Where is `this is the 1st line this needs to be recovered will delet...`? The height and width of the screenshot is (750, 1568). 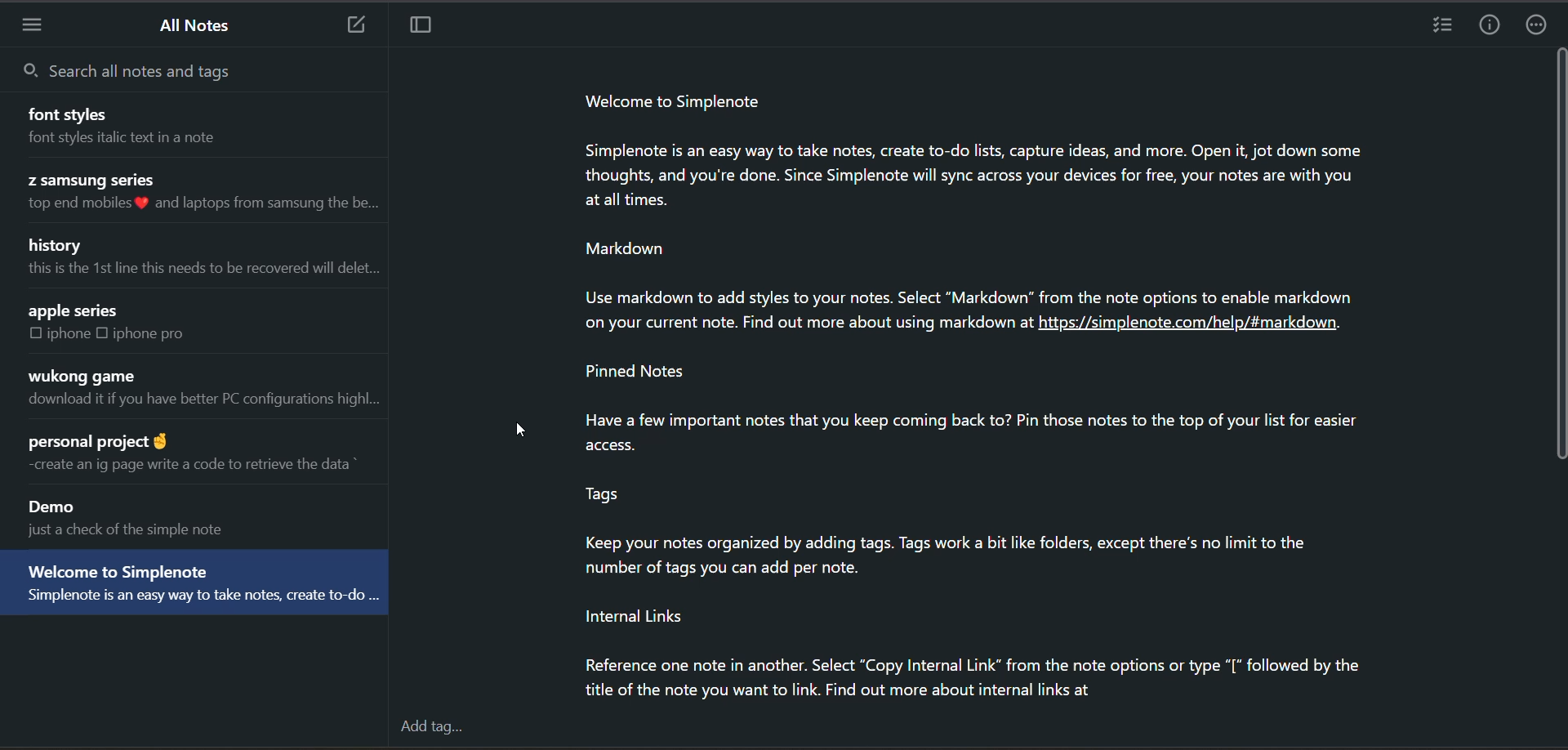 this is the 1st line this needs to be recovered will delet... is located at coordinates (215, 275).